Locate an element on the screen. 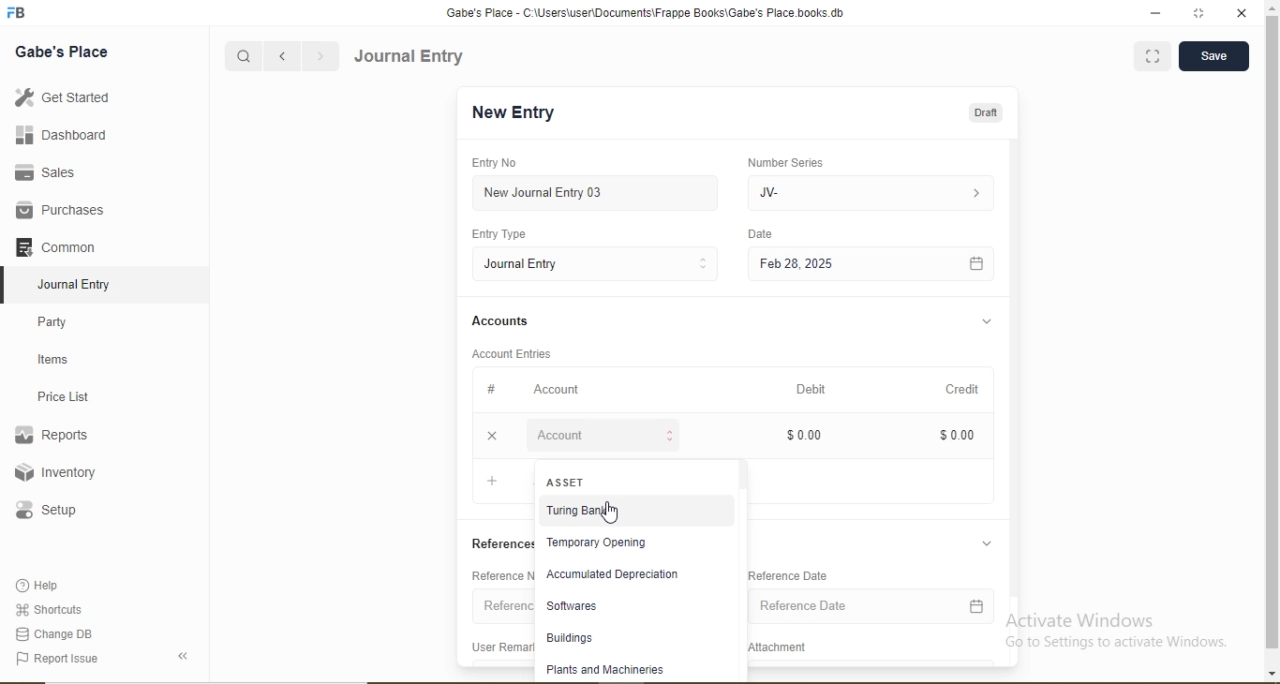 Image resolution: width=1280 pixels, height=684 pixels. Date is located at coordinates (764, 233).